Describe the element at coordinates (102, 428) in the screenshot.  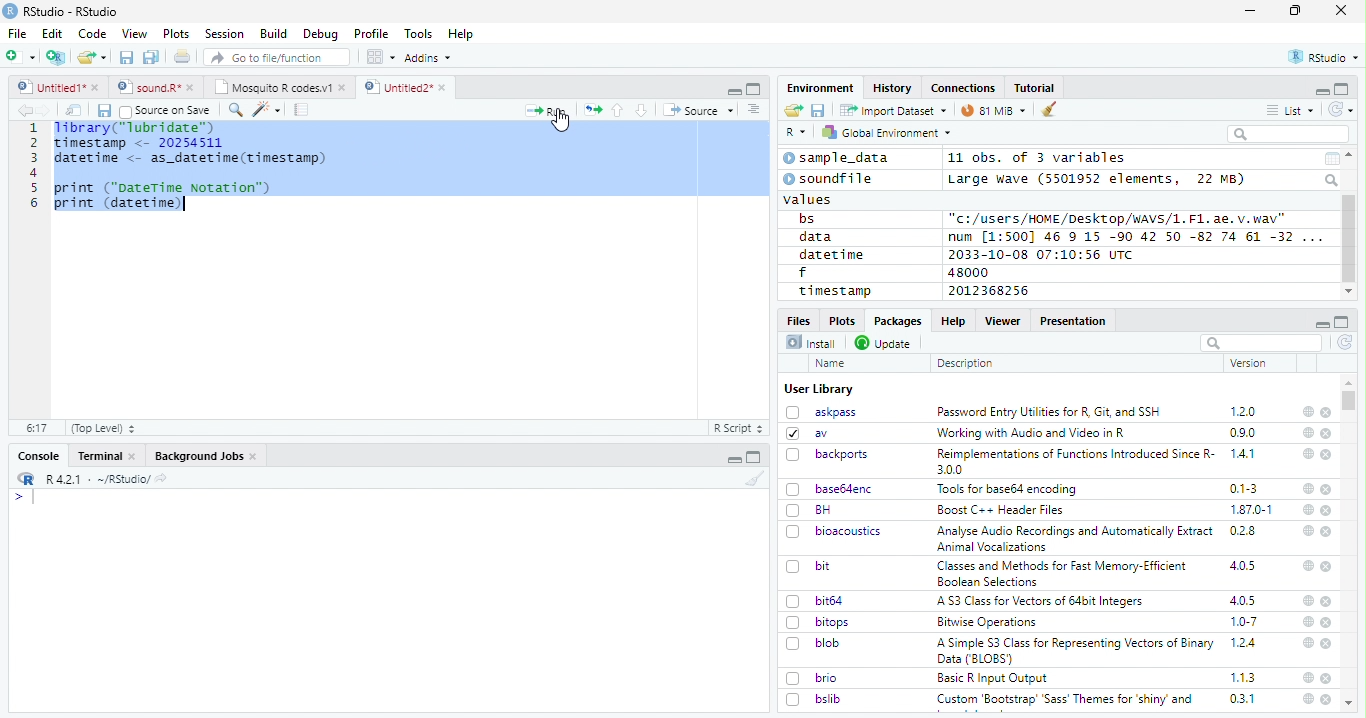
I see `(Top Level)` at that location.